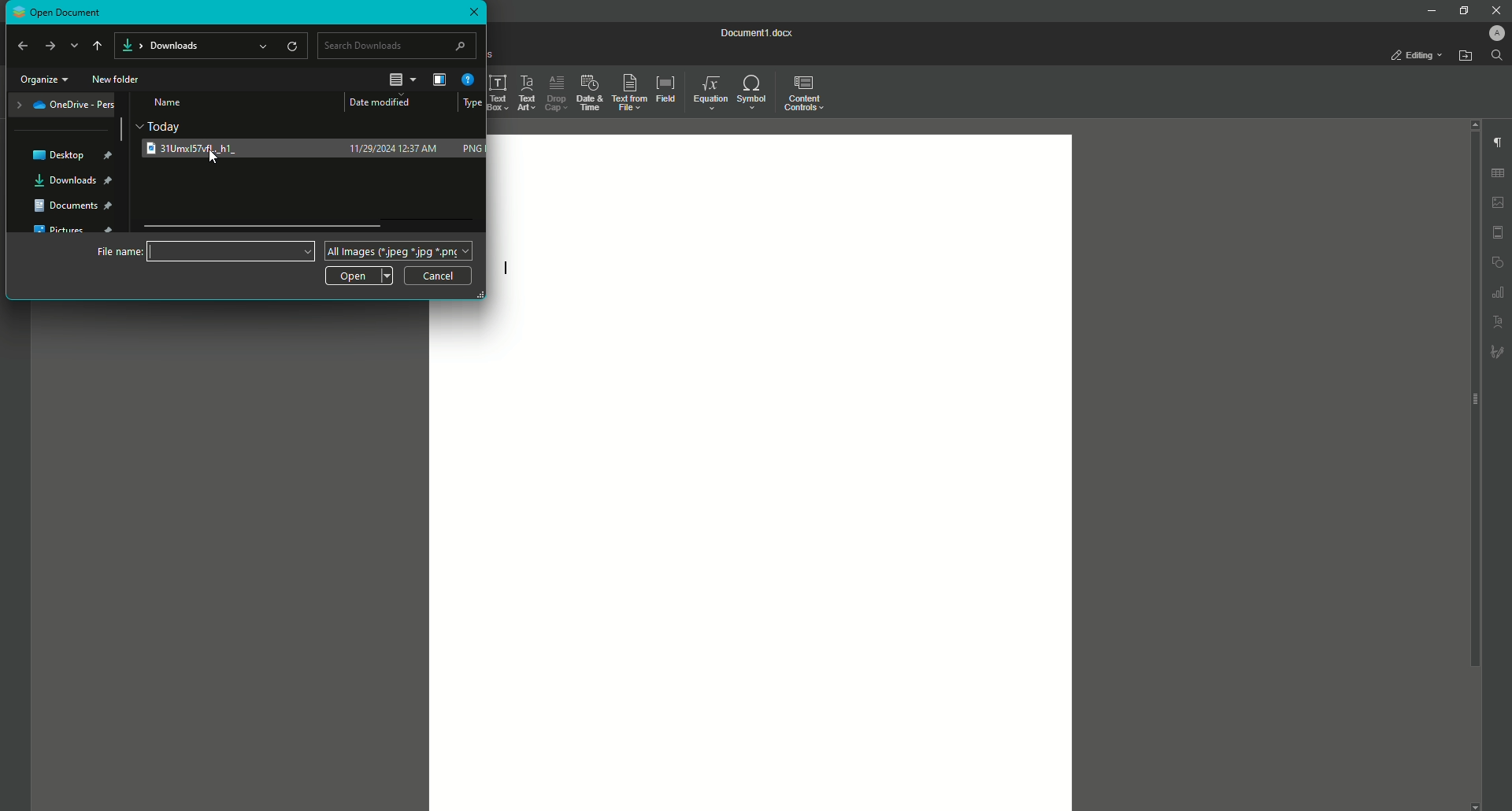 This screenshot has height=811, width=1512. What do you see at coordinates (76, 209) in the screenshot?
I see `Documents` at bounding box center [76, 209].